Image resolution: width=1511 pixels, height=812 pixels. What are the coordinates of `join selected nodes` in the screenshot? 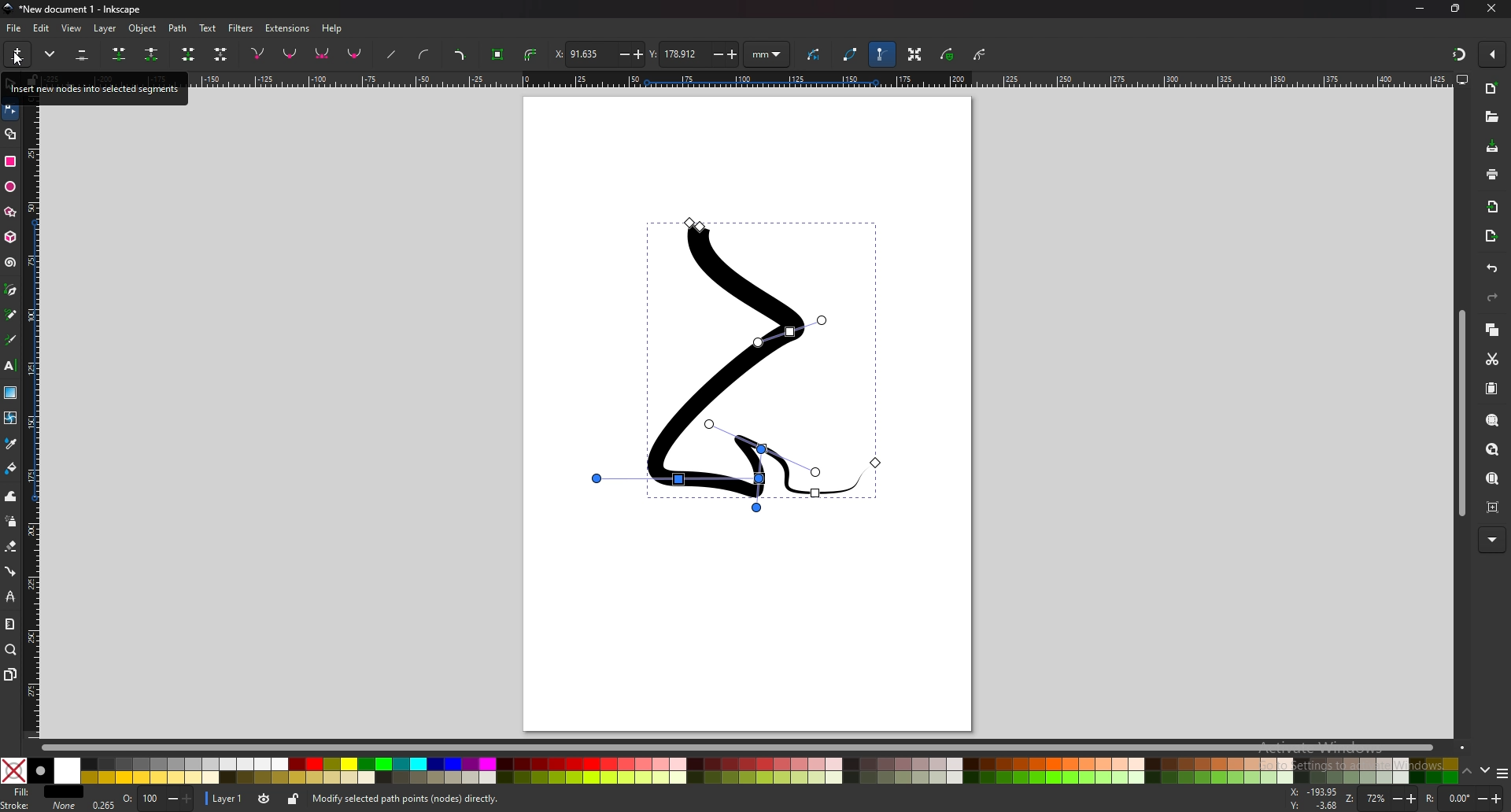 It's located at (120, 54).